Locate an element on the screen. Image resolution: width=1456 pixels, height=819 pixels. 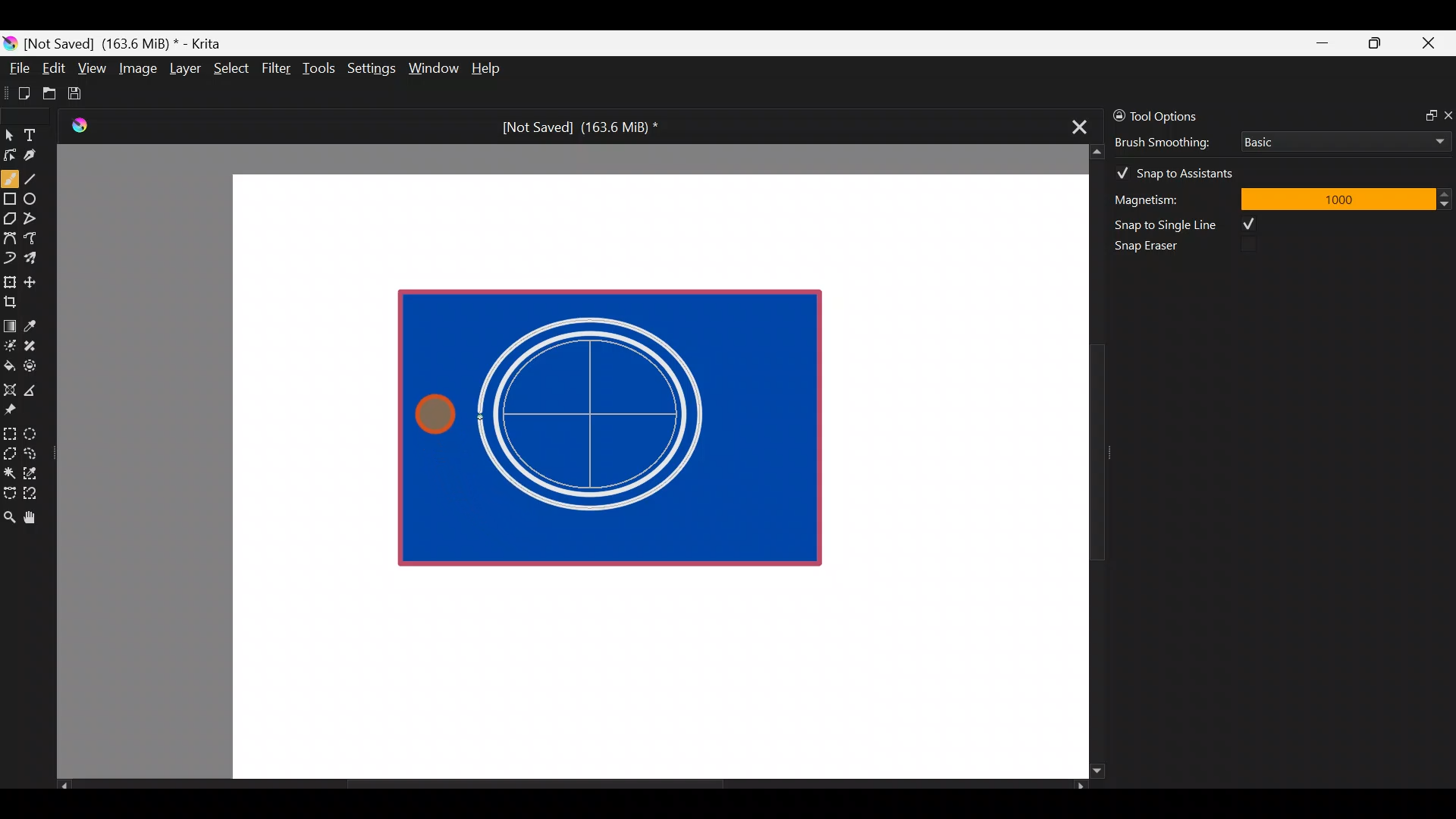
Scroll bar is located at coordinates (1086, 462).